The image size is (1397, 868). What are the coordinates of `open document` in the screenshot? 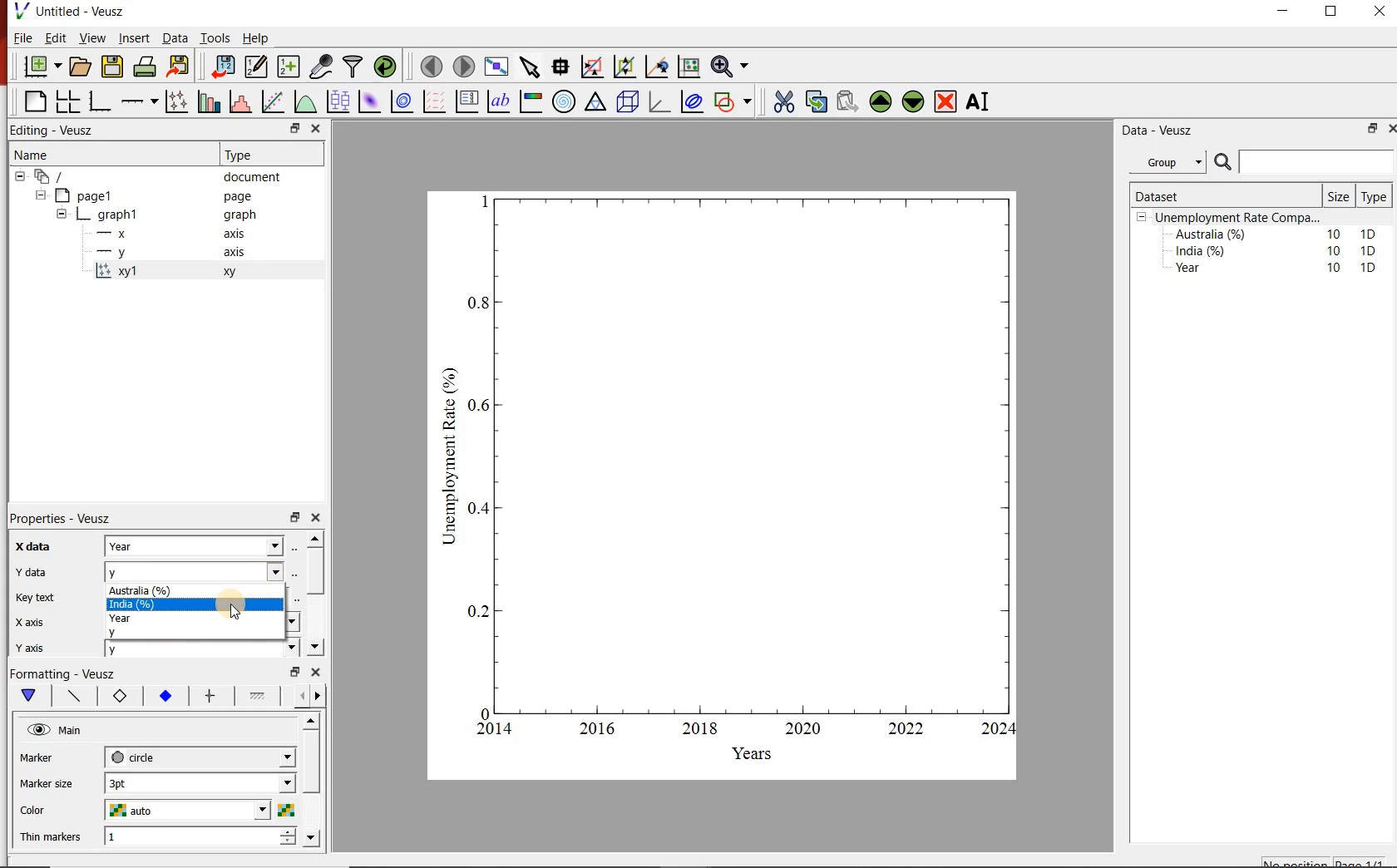 It's located at (81, 67).